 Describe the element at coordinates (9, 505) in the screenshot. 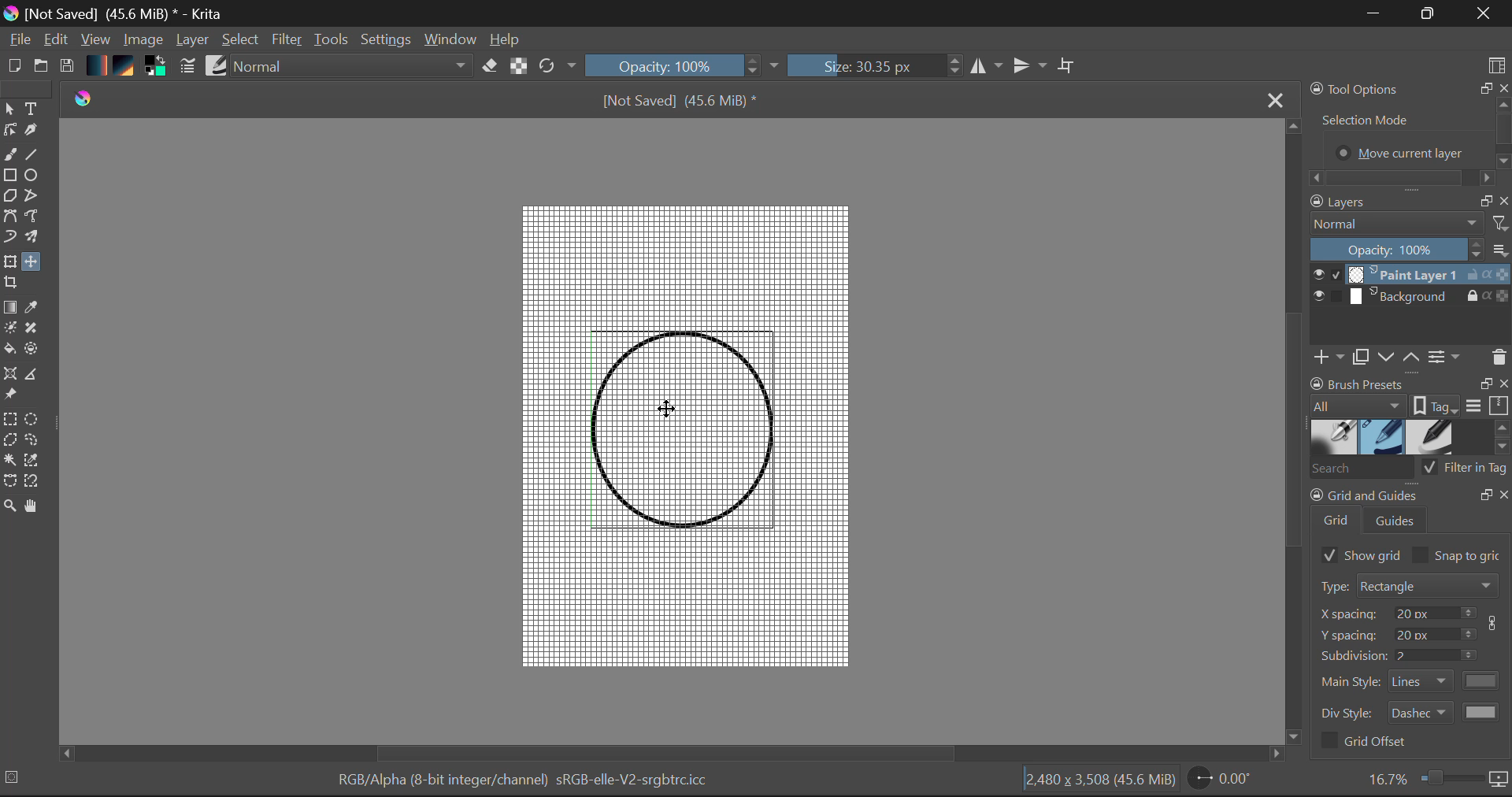

I see `Zoom` at that location.